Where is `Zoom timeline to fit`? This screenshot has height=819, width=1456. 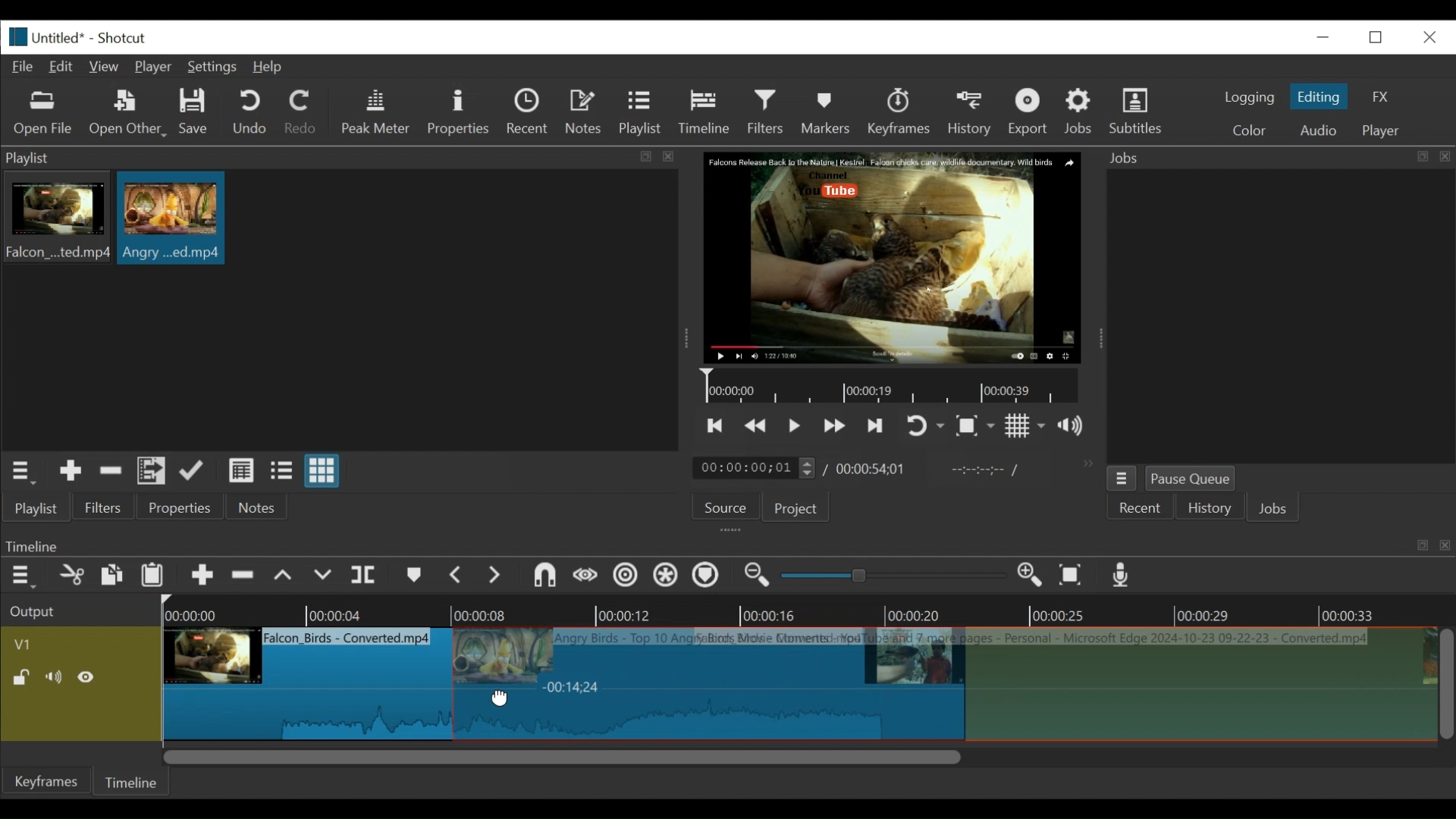 Zoom timeline to fit is located at coordinates (1075, 576).